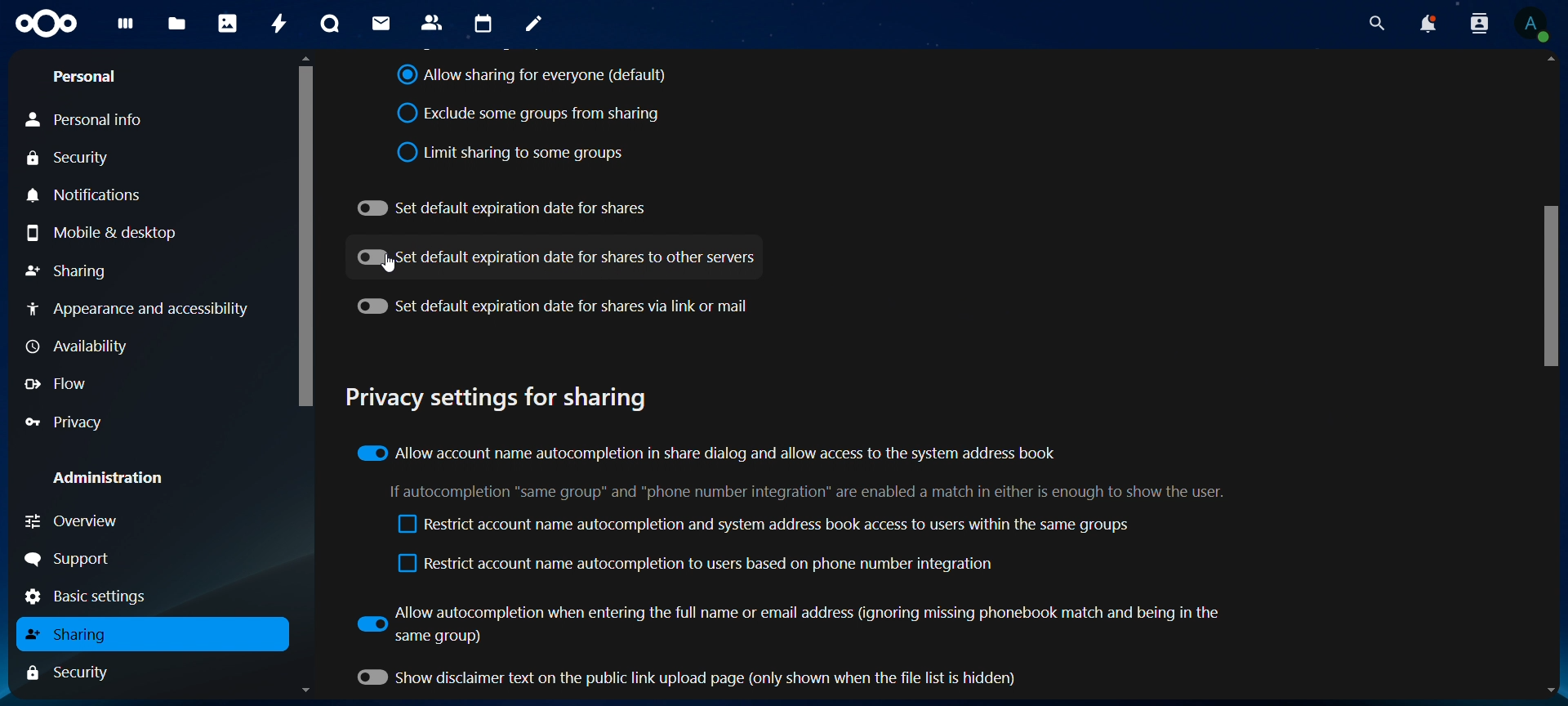 Image resolution: width=1568 pixels, height=706 pixels. I want to click on basic settings, so click(92, 597).